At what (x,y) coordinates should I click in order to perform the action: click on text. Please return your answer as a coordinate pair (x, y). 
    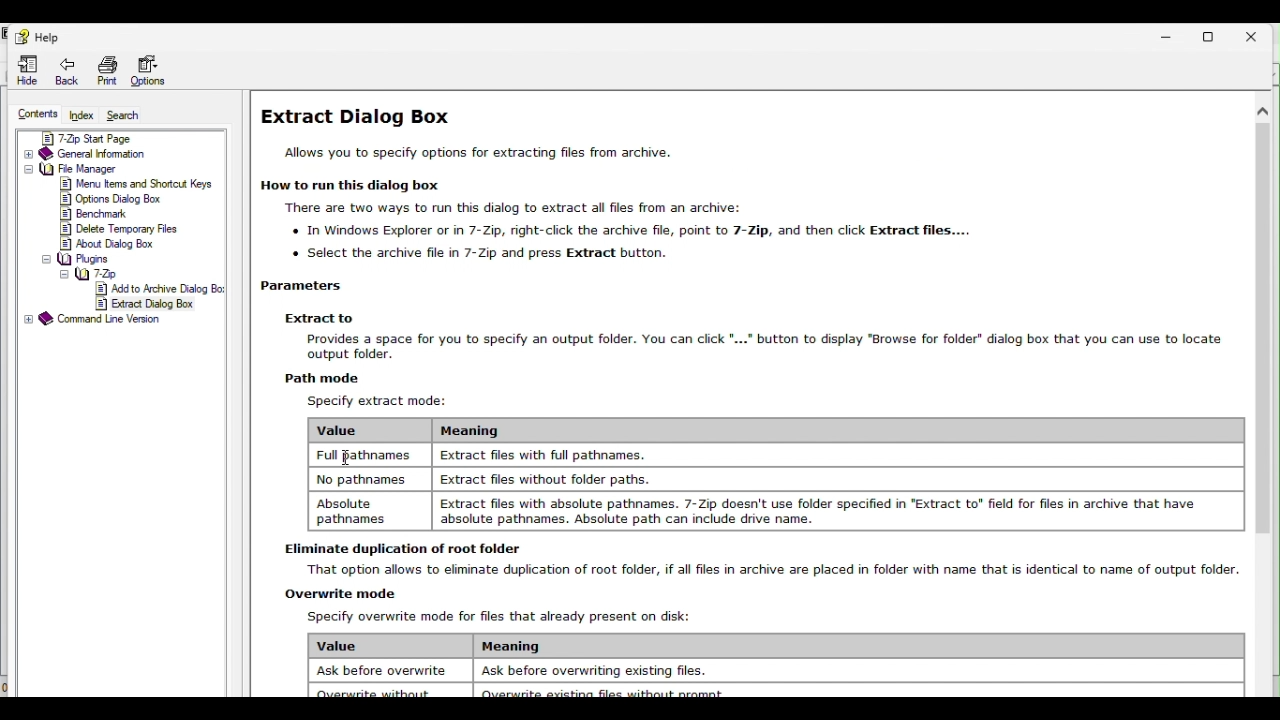
    Looking at the image, I should click on (476, 154).